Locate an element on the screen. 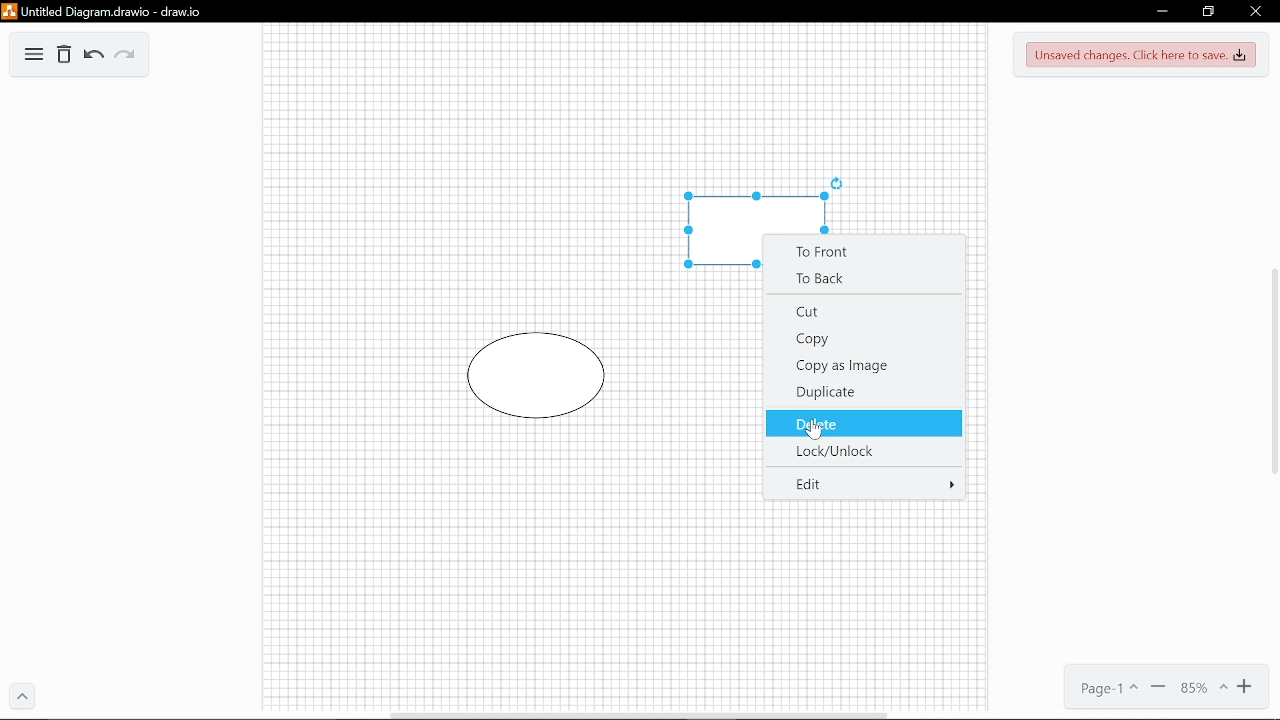  Edit is located at coordinates (865, 483).